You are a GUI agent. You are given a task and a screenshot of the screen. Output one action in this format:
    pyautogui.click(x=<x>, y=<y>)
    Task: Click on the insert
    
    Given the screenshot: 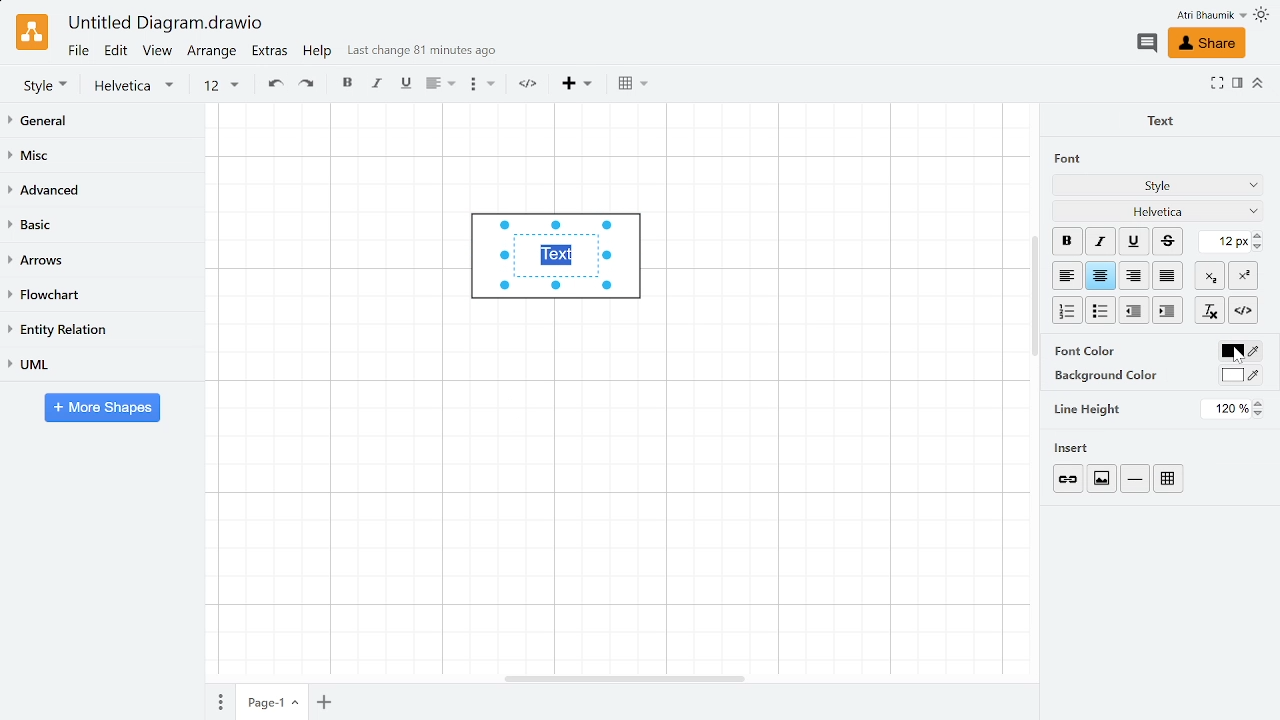 What is the action you would take?
    pyautogui.click(x=1078, y=448)
    